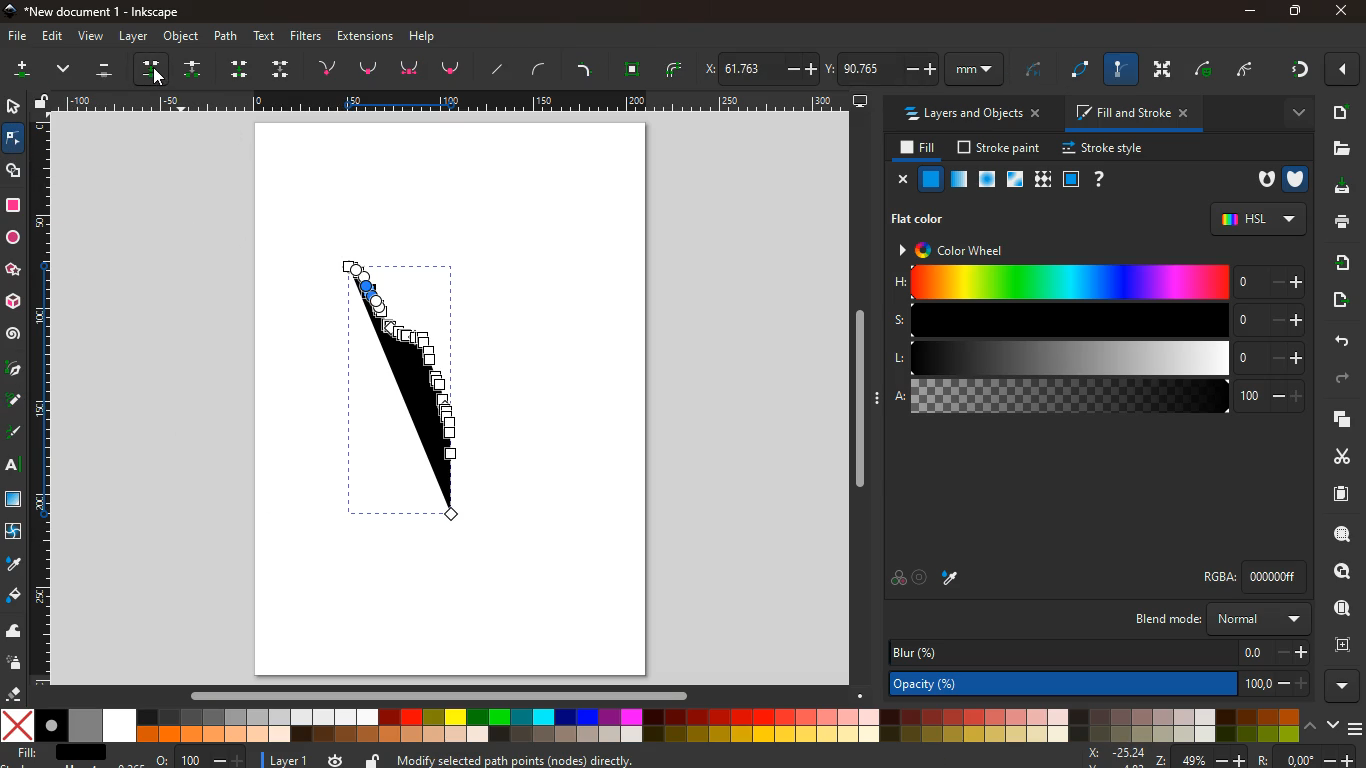 The image size is (1366, 768). I want to click on circle, so click(13, 238).